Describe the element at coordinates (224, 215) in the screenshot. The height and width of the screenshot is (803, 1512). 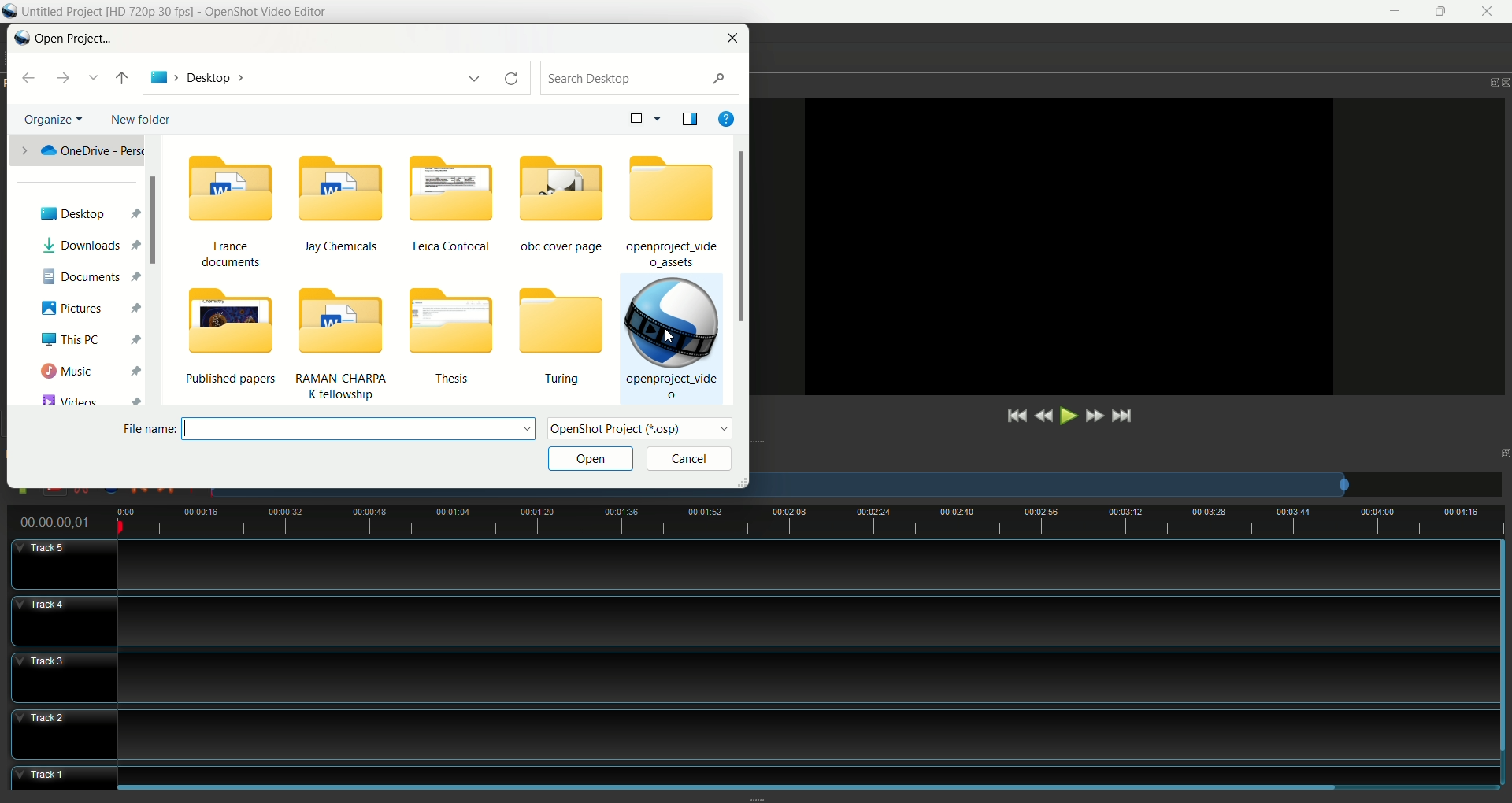
I see `France
documents` at that location.